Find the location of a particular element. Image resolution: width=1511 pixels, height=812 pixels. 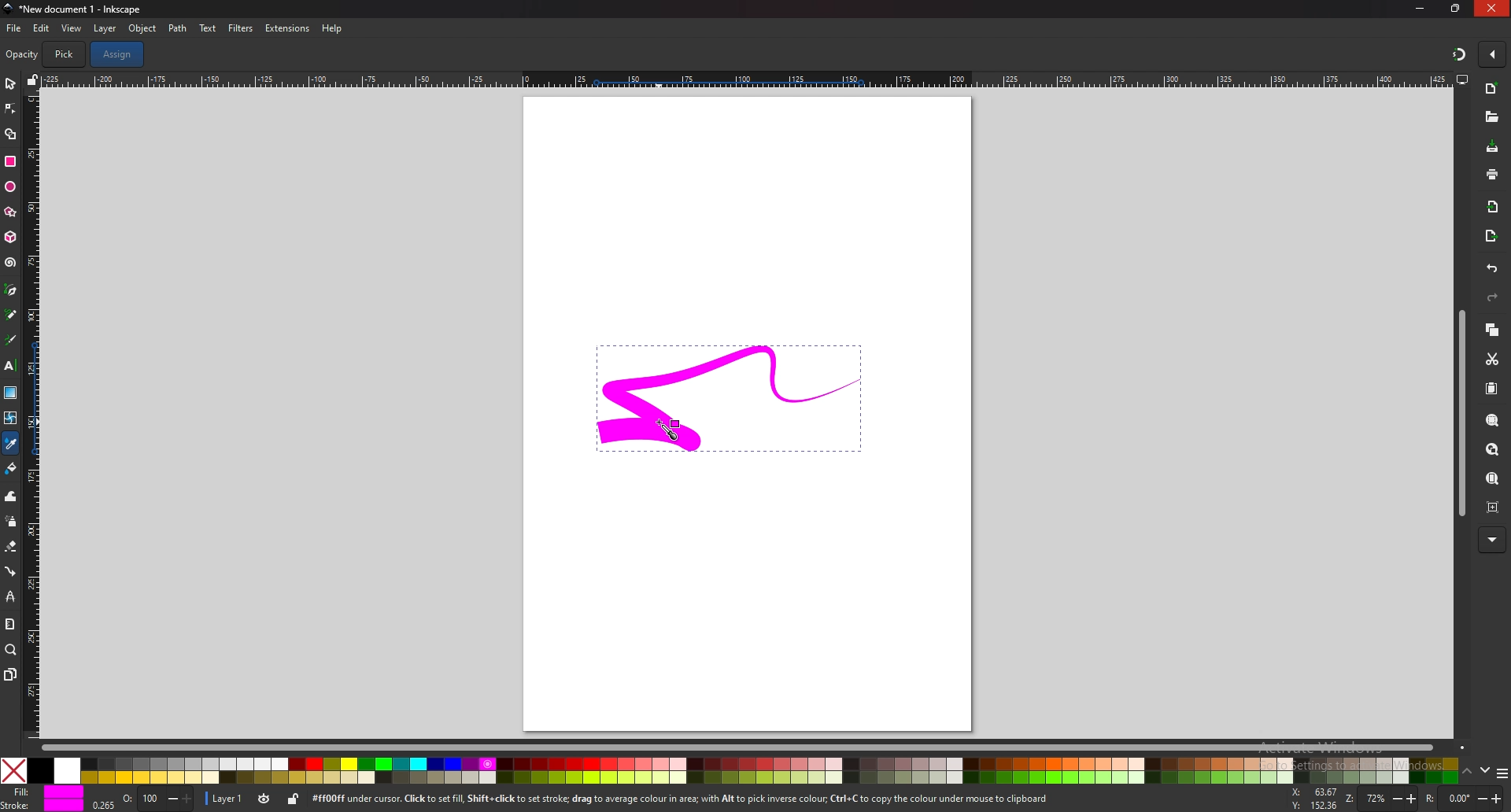

print is located at coordinates (1493, 174).